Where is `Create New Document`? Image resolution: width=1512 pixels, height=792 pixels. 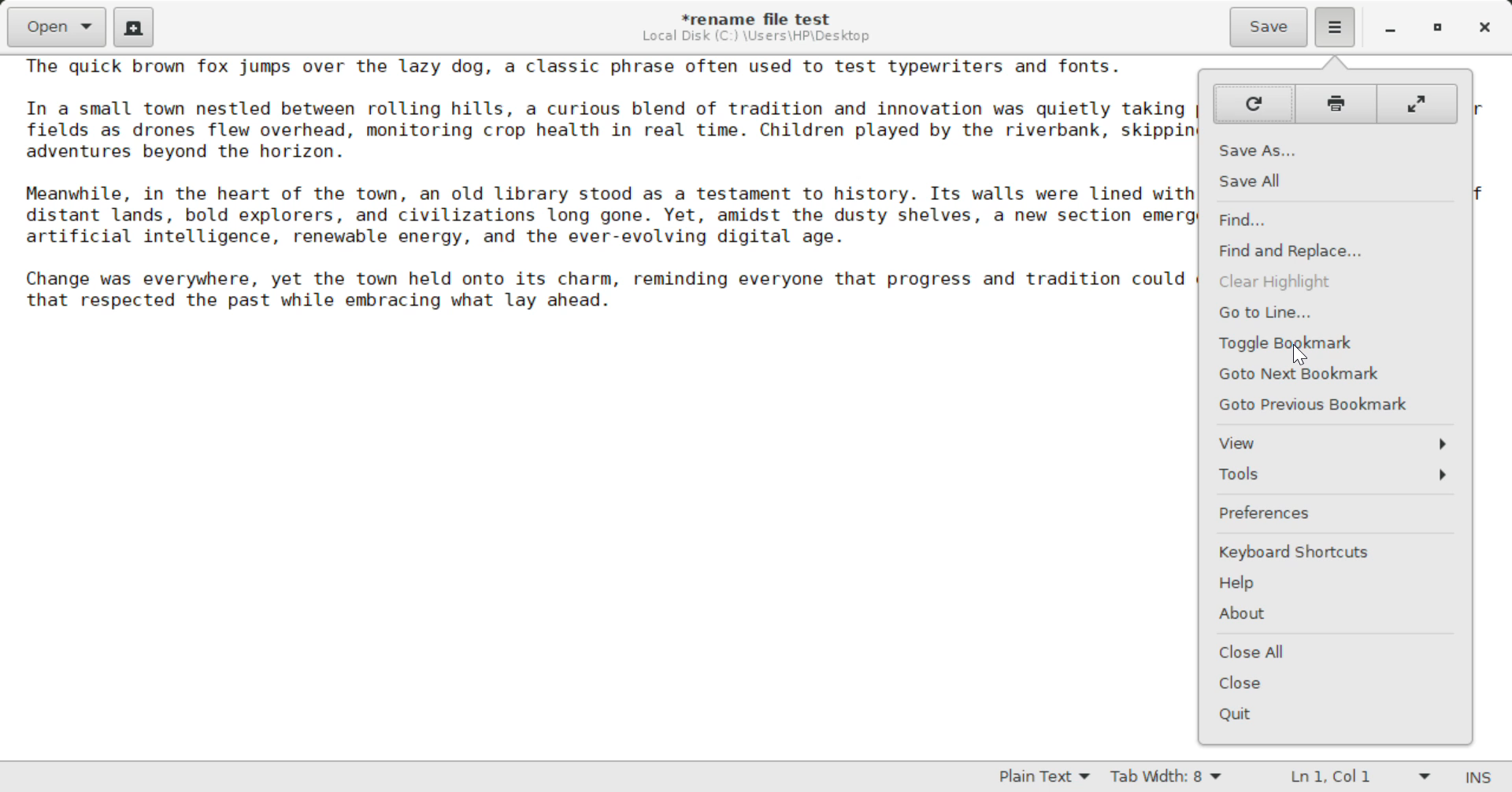 Create New Document is located at coordinates (134, 29).